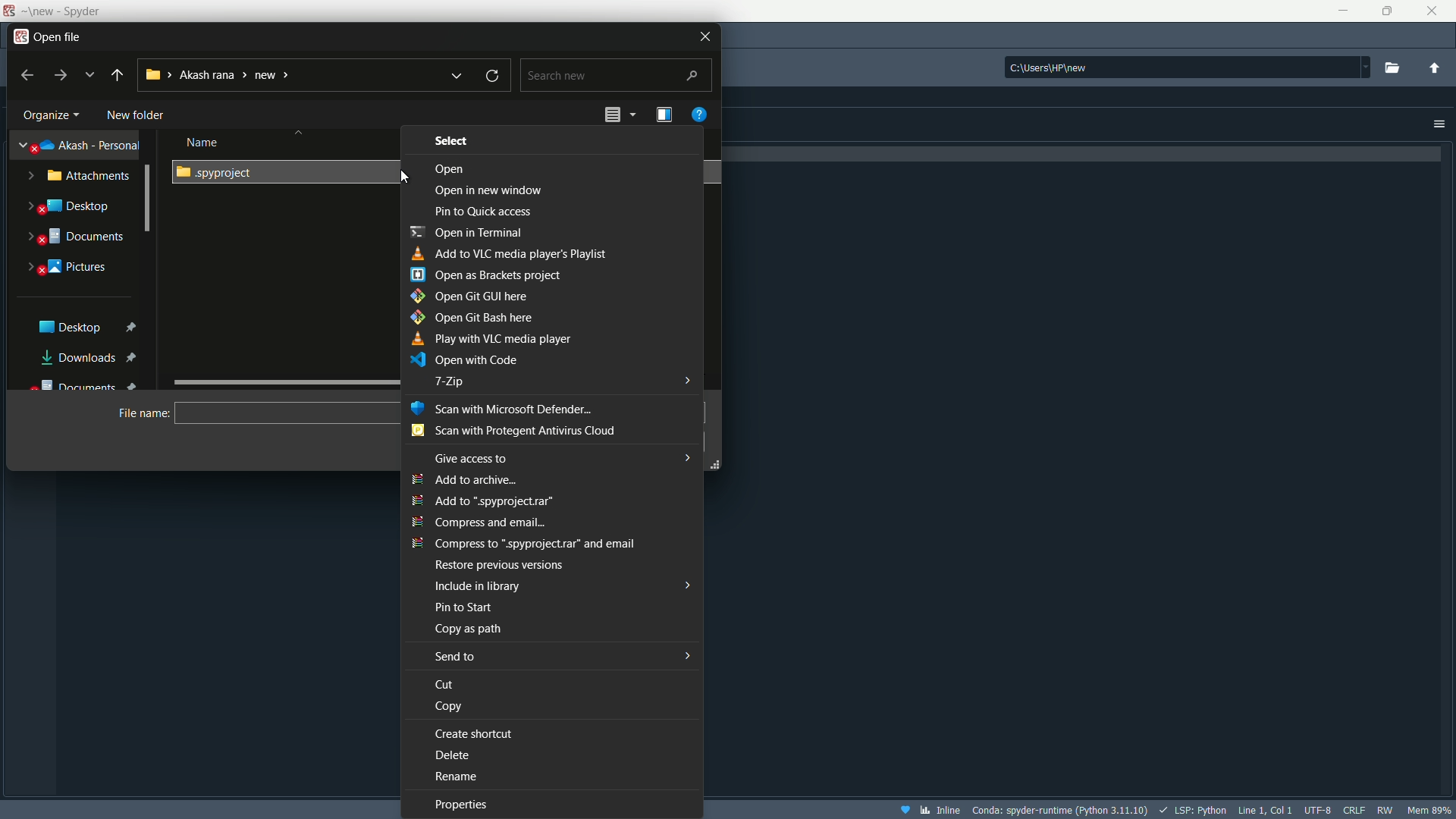 This screenshot has height=819, width=1456. Describe the element at coordinates (1319, 810) in the screenshot. I see `file encoding` at that location.